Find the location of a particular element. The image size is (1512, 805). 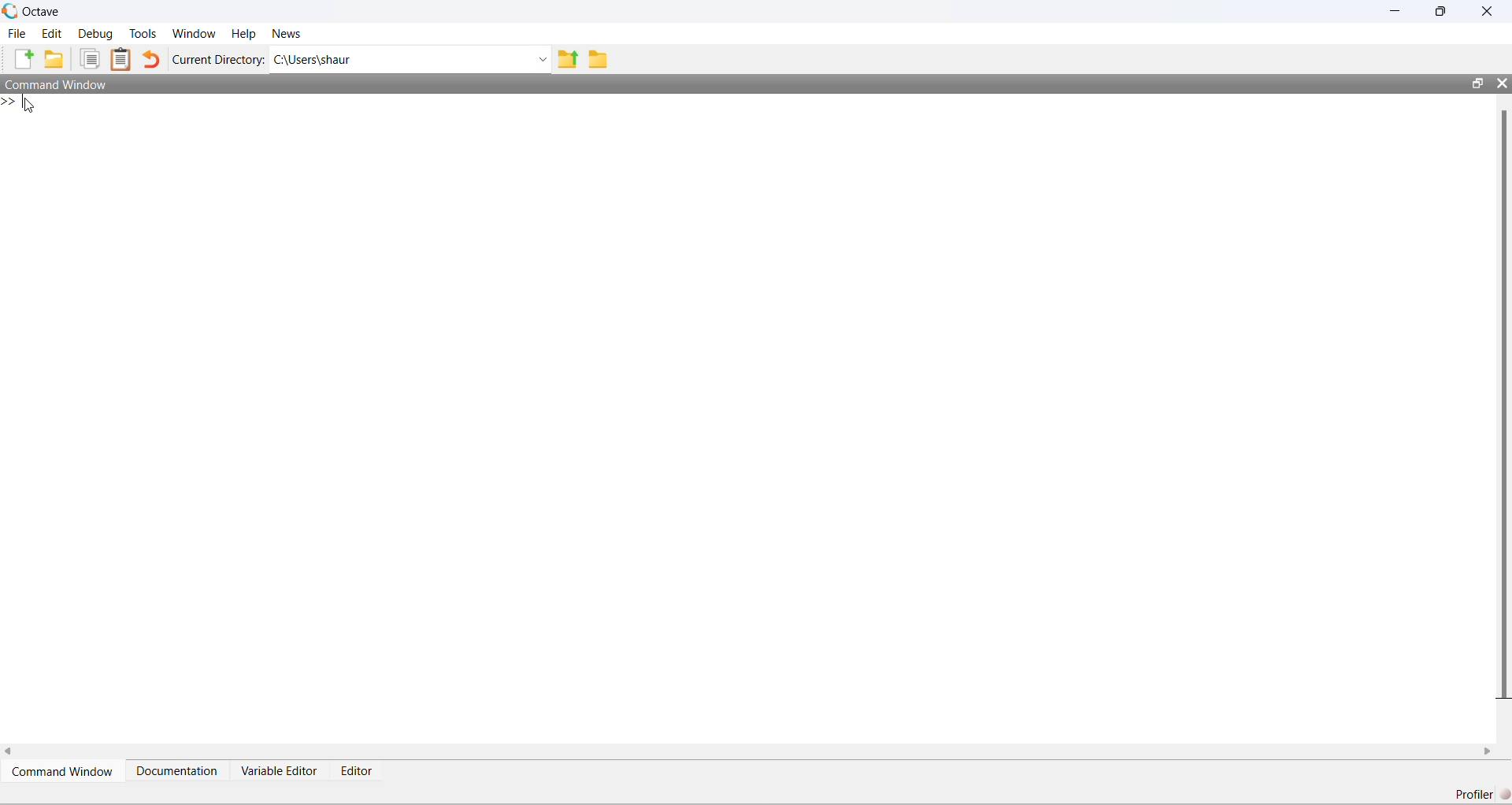

restore is located at coordinates (1477, 83).